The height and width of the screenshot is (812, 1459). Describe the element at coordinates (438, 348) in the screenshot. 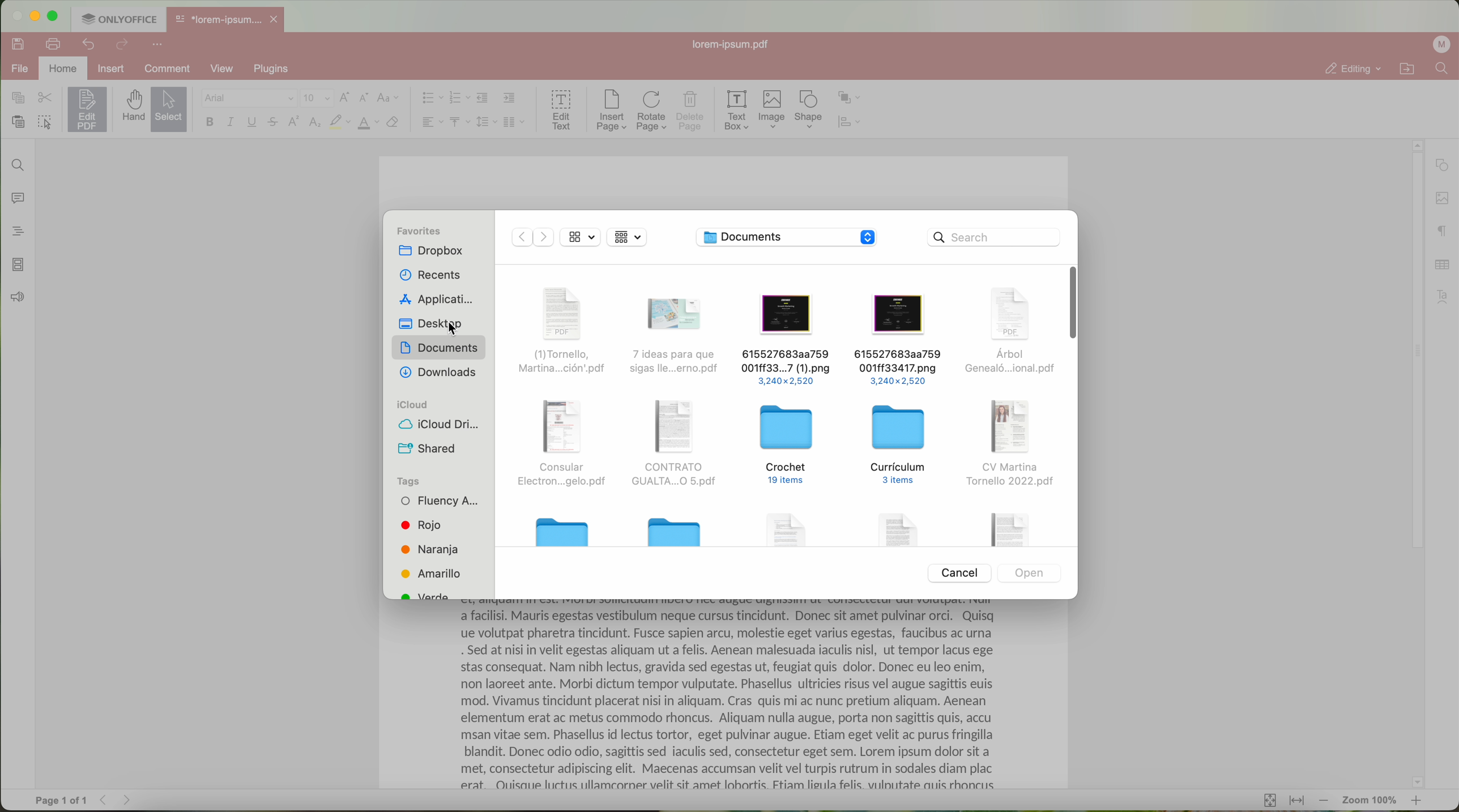

I see `documents` at that location.